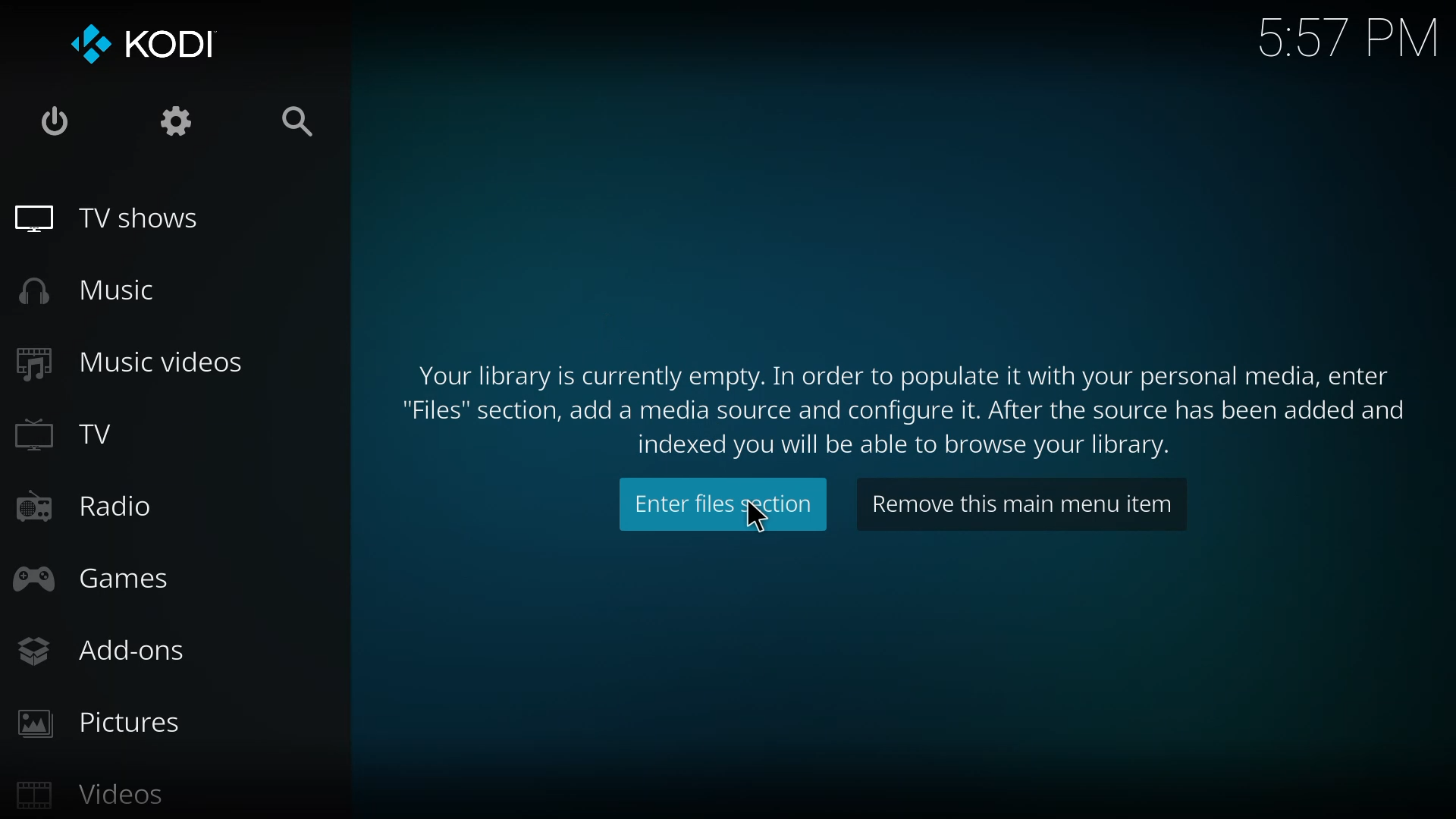 The width and height of the screenshot is (1456, 819). I want to click on remove, so click(1018, 504).